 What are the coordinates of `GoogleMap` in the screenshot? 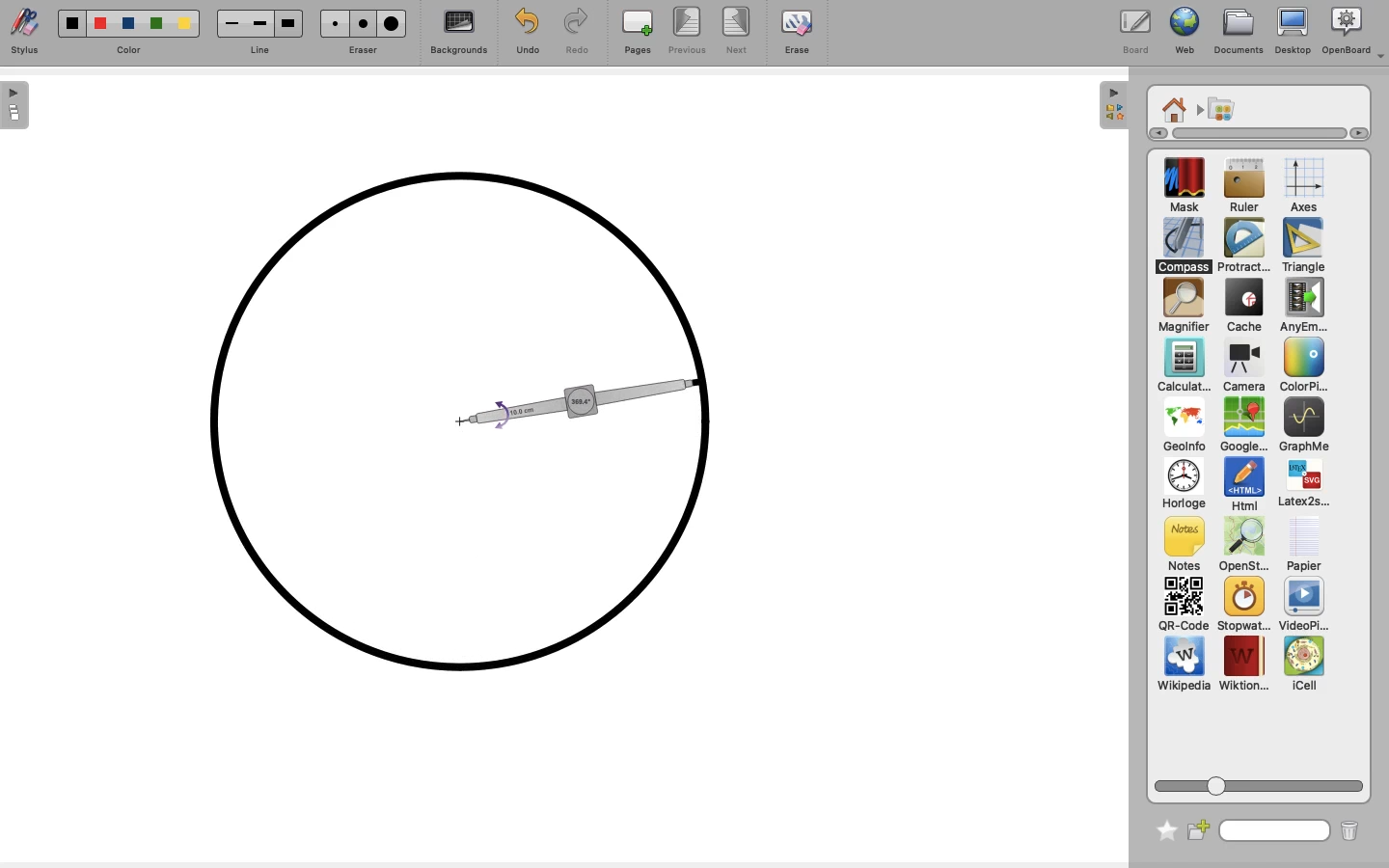 It's located at (1243, 426).